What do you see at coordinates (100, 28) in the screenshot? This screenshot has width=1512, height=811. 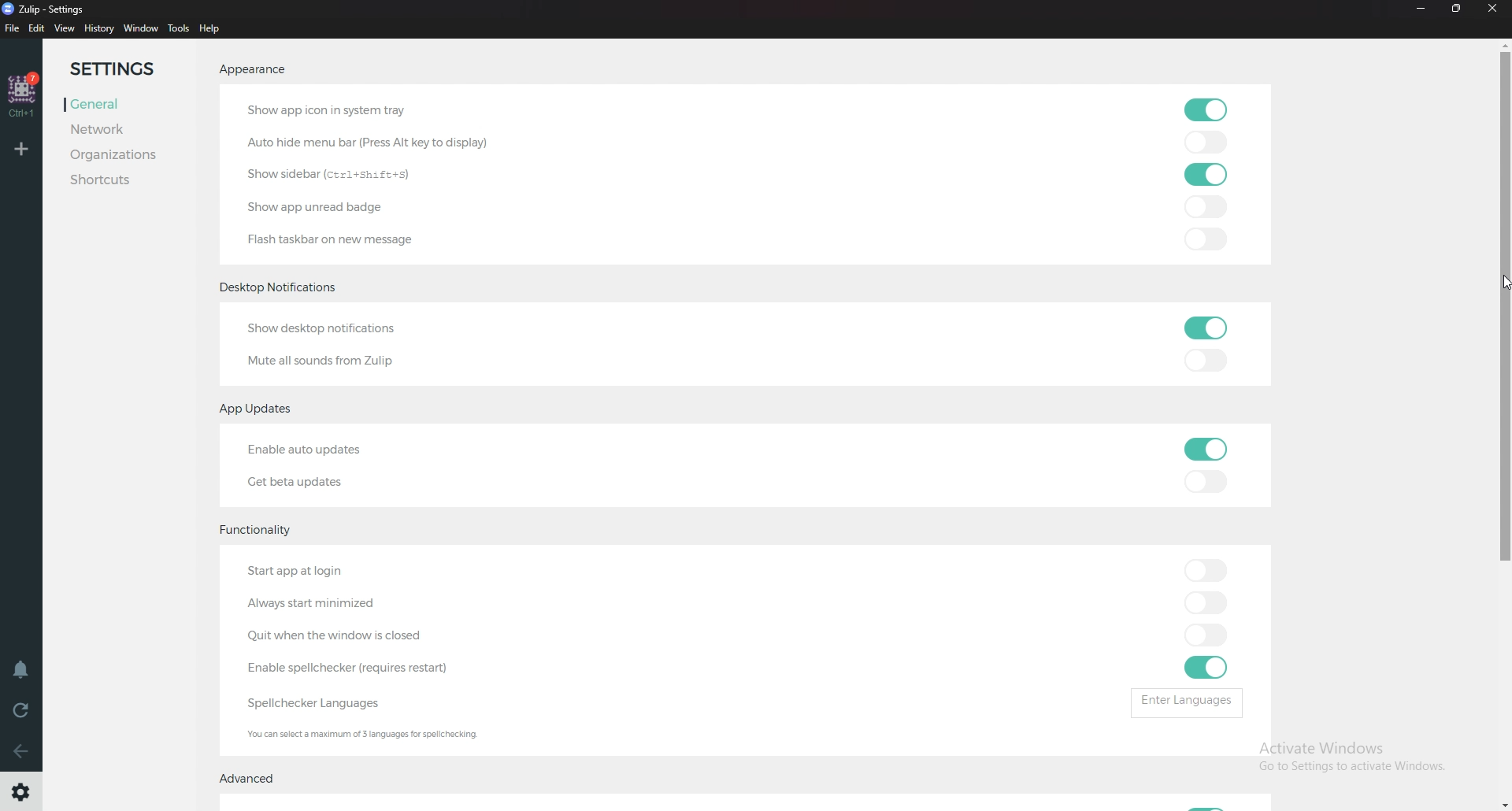 I see `History` at bounding box center [100, 28].